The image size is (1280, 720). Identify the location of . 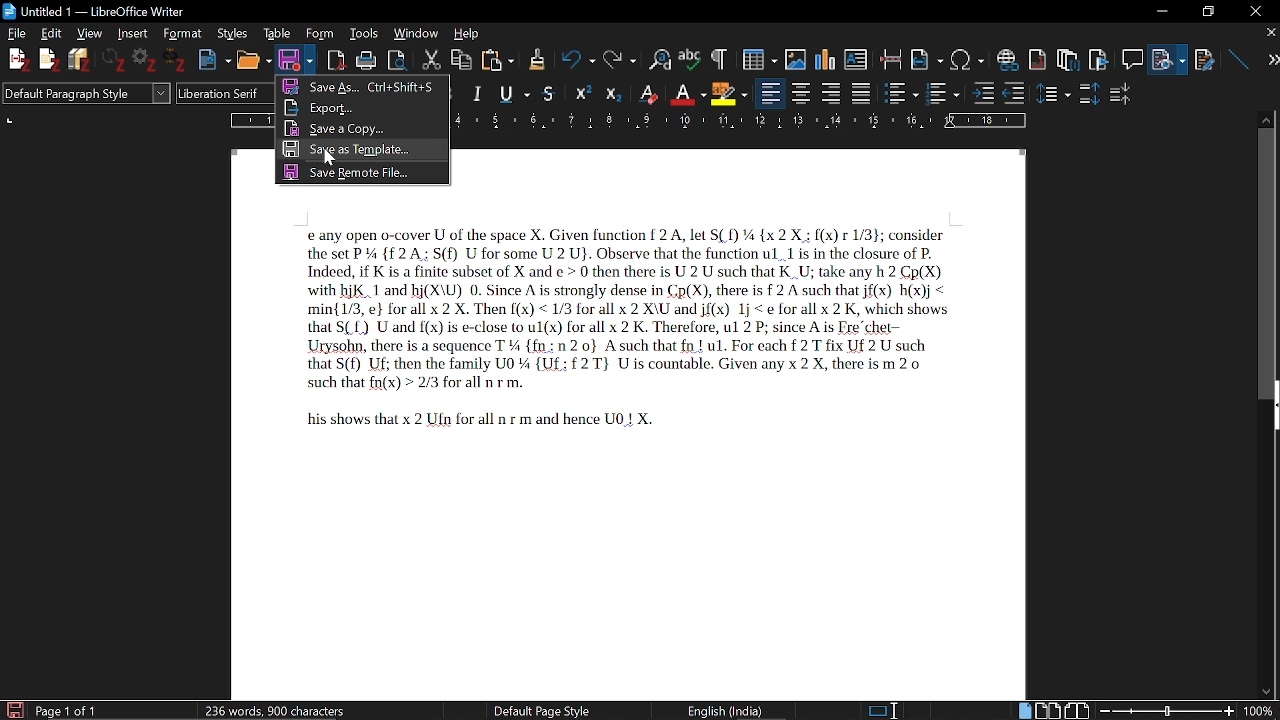
(536, 59).